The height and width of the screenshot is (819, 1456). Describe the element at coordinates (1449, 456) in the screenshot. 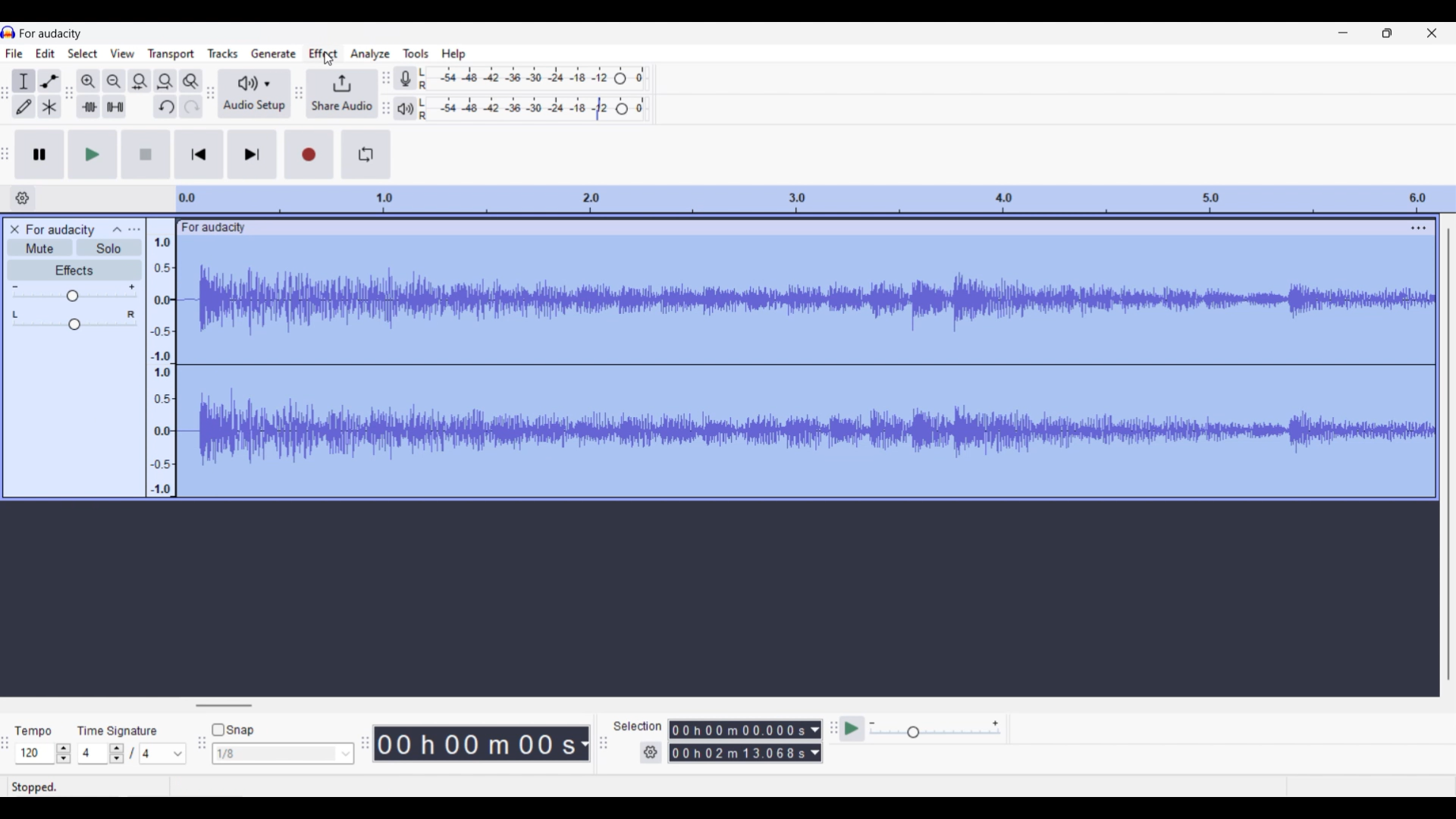

I see `Vertical slide bar` at that location.